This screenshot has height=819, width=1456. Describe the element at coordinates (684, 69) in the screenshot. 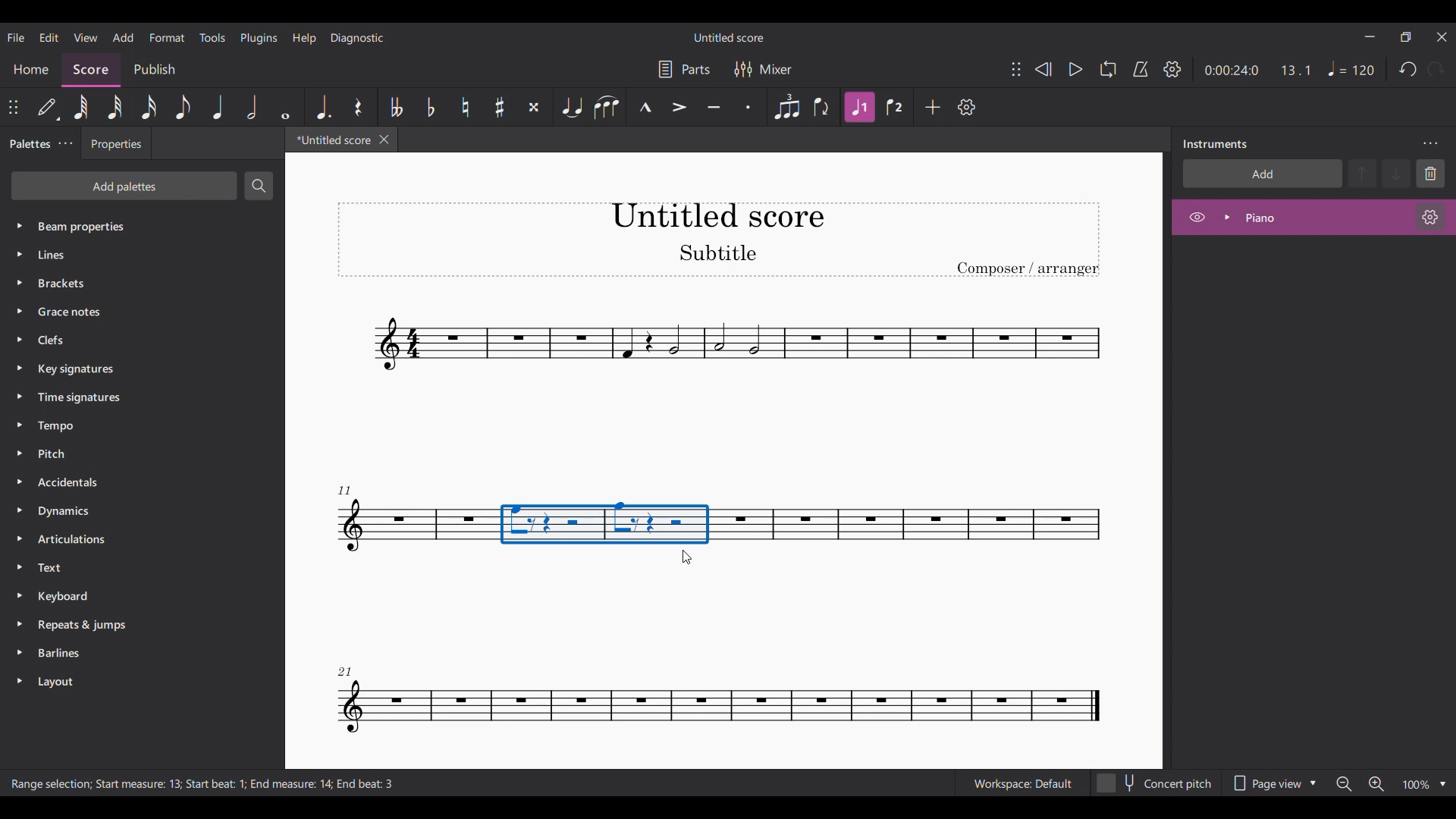

I see `Manage parts` at that location.